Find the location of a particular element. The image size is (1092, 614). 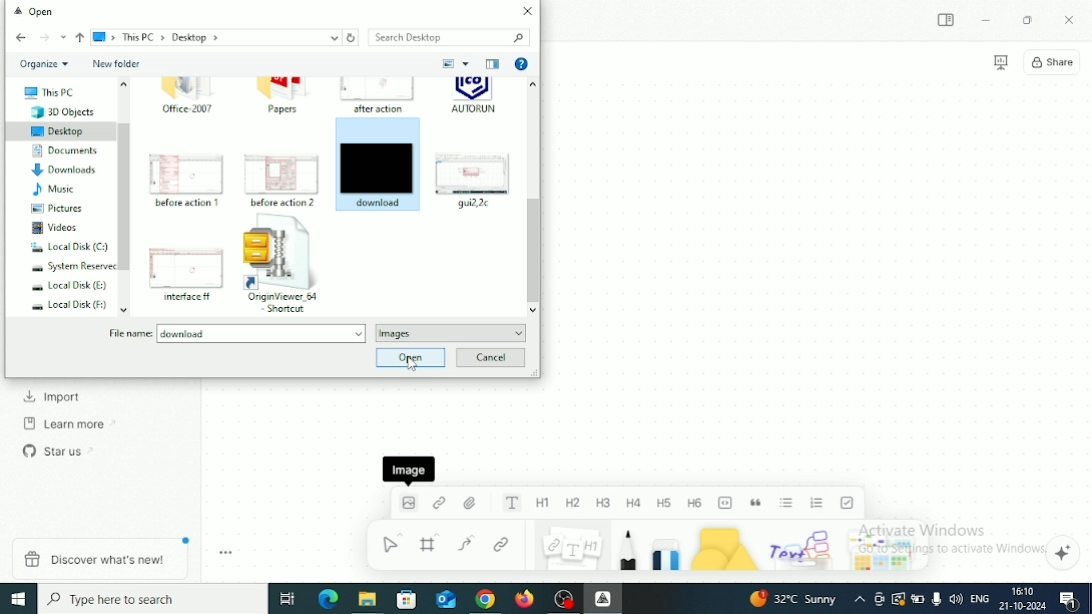

Image is located at coordinates (409, 469).